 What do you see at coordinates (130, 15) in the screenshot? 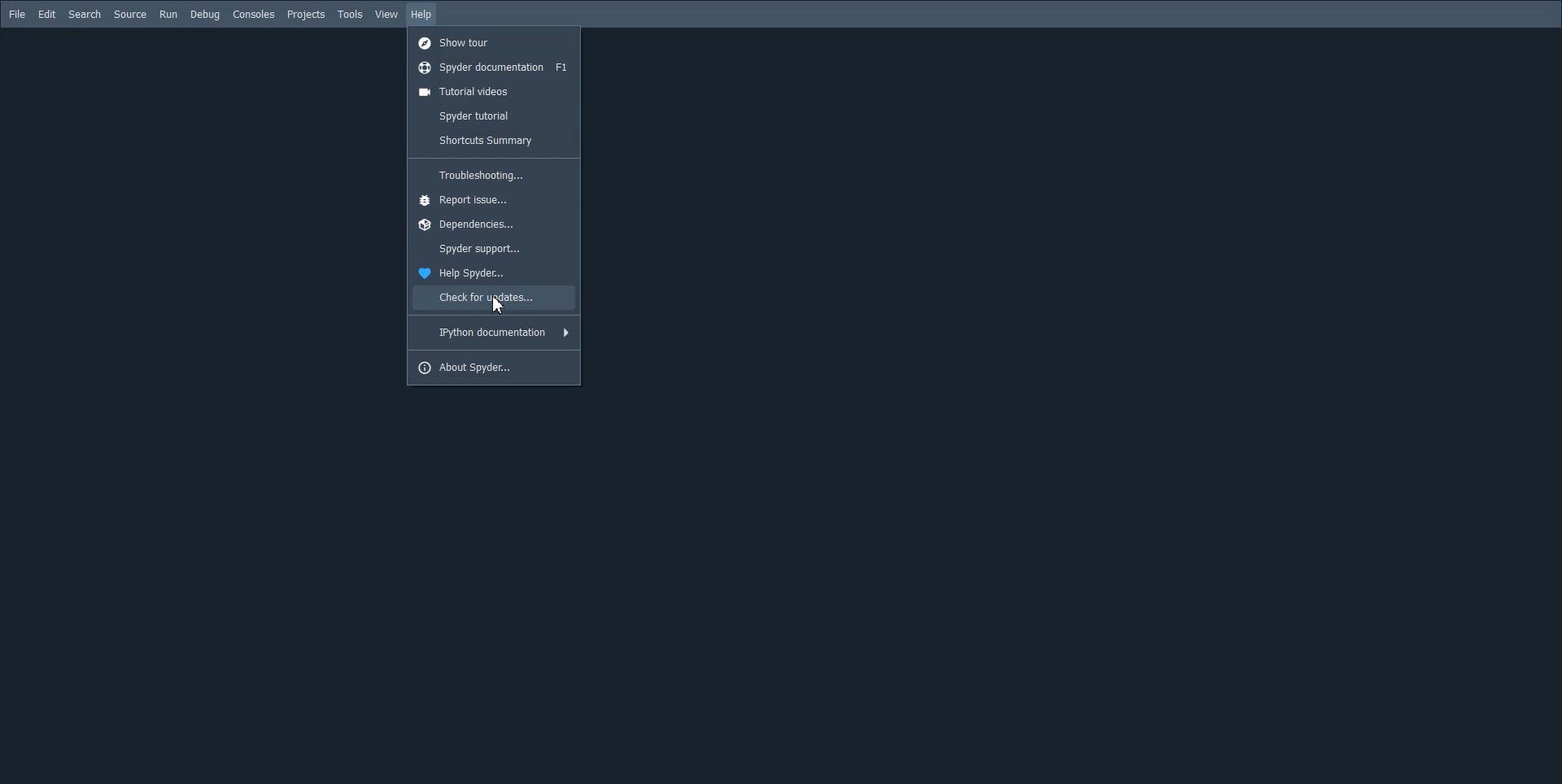
I see `Source` at bounding box center [130, 15].